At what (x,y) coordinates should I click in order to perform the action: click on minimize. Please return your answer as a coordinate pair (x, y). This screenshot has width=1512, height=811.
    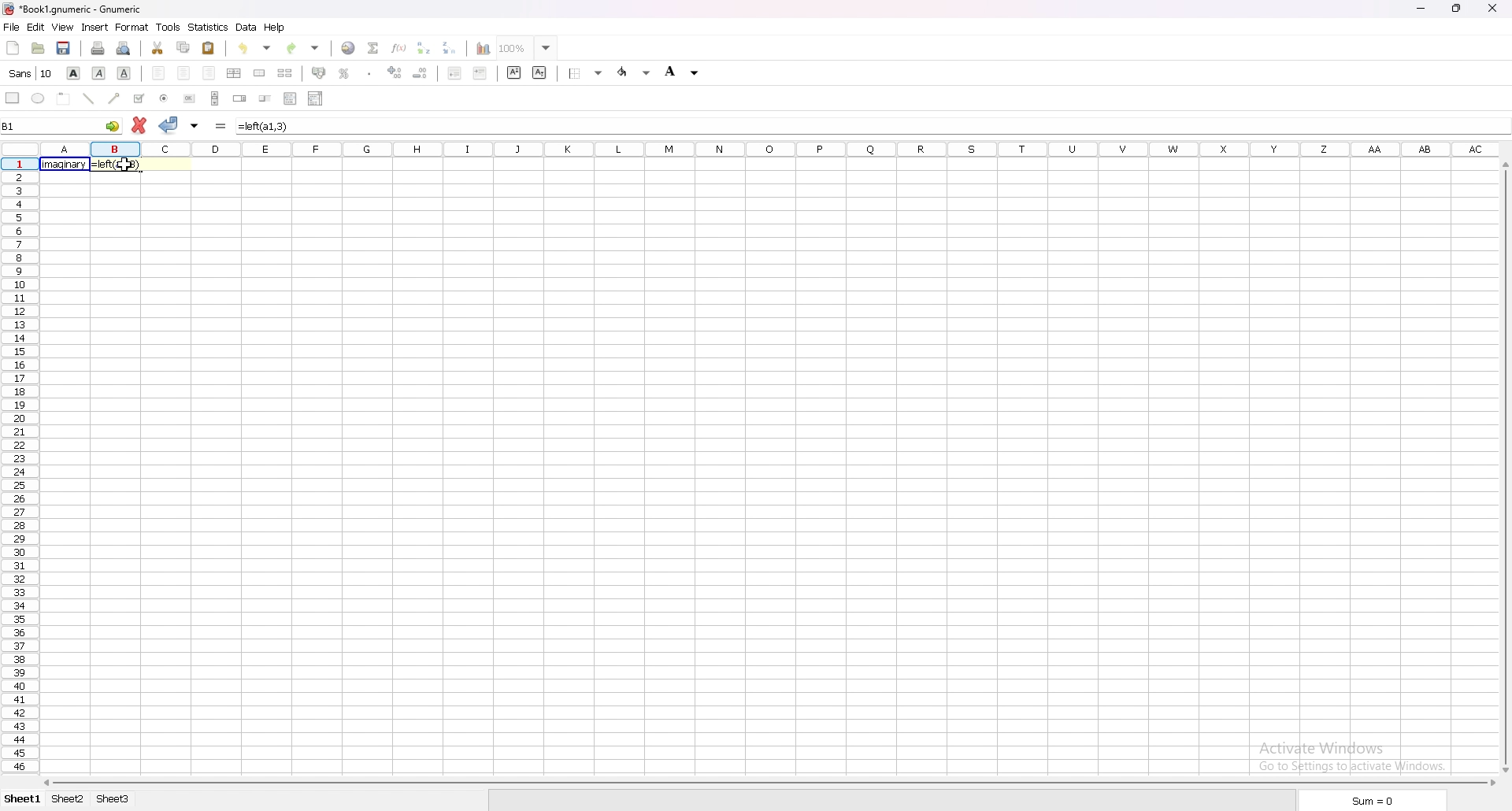
    Looking at the image, I should click on (1420, 8).